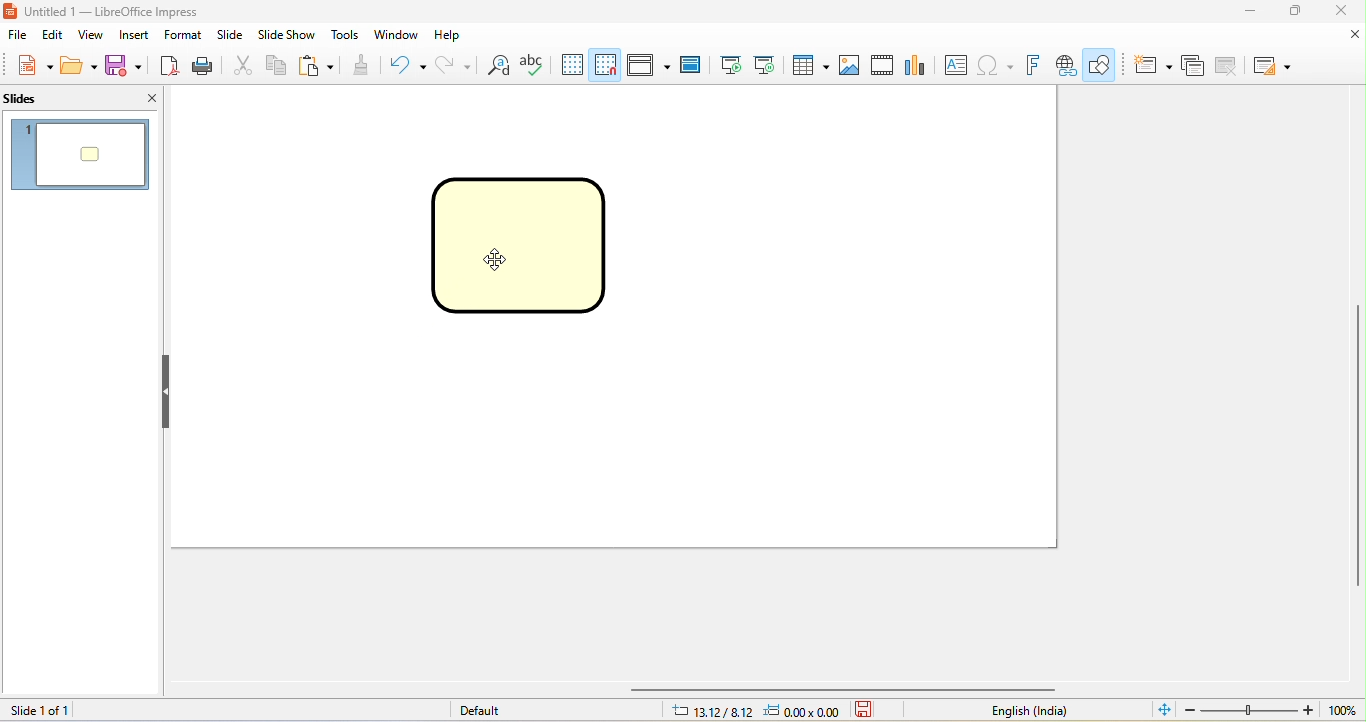 The width and height of the screenshot is (1366, 722). I want to click on export directly as pdf, so click(170, 64).